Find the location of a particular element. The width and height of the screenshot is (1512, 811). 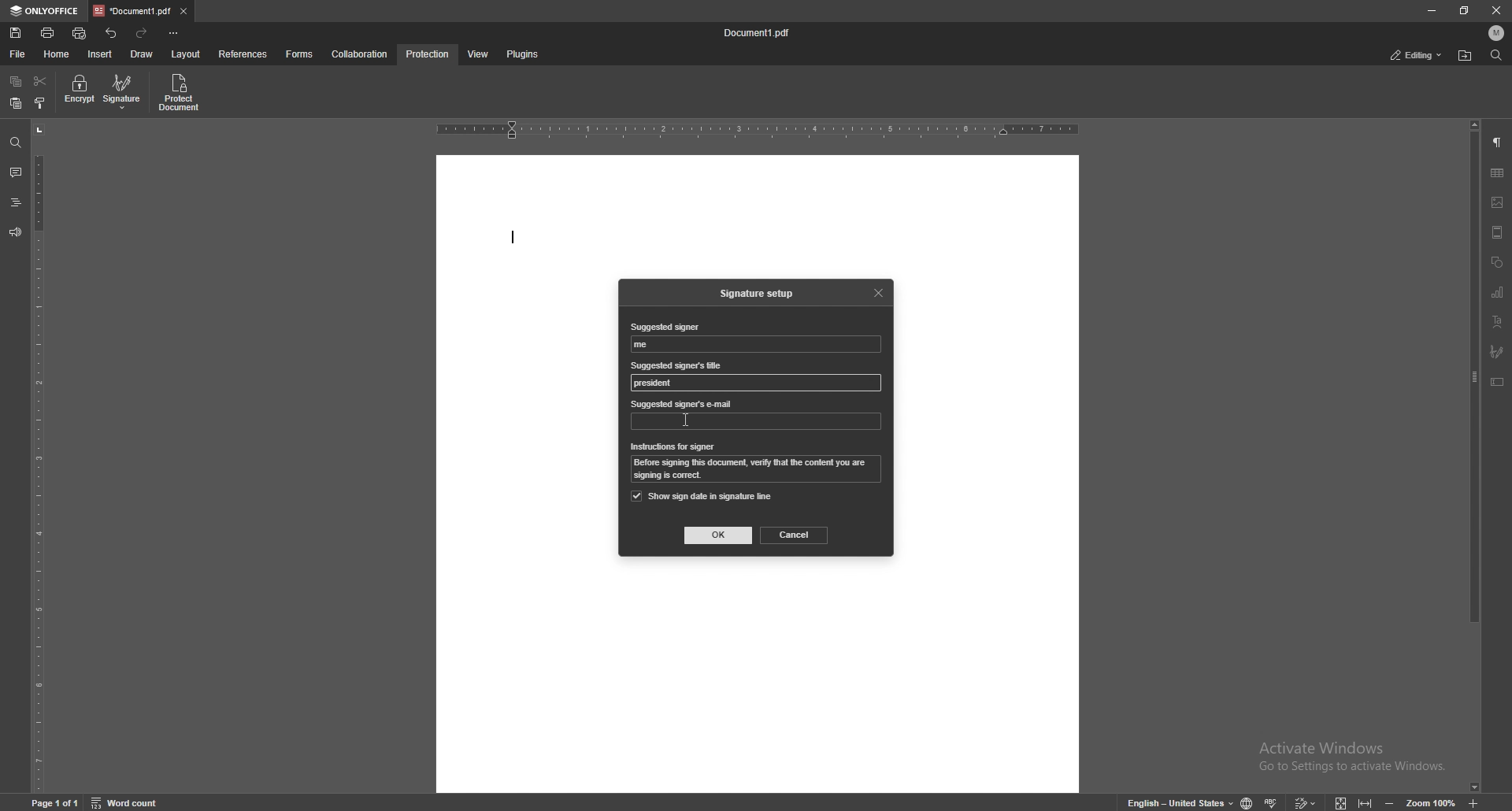

instruction is located at coordinates (758, 470).